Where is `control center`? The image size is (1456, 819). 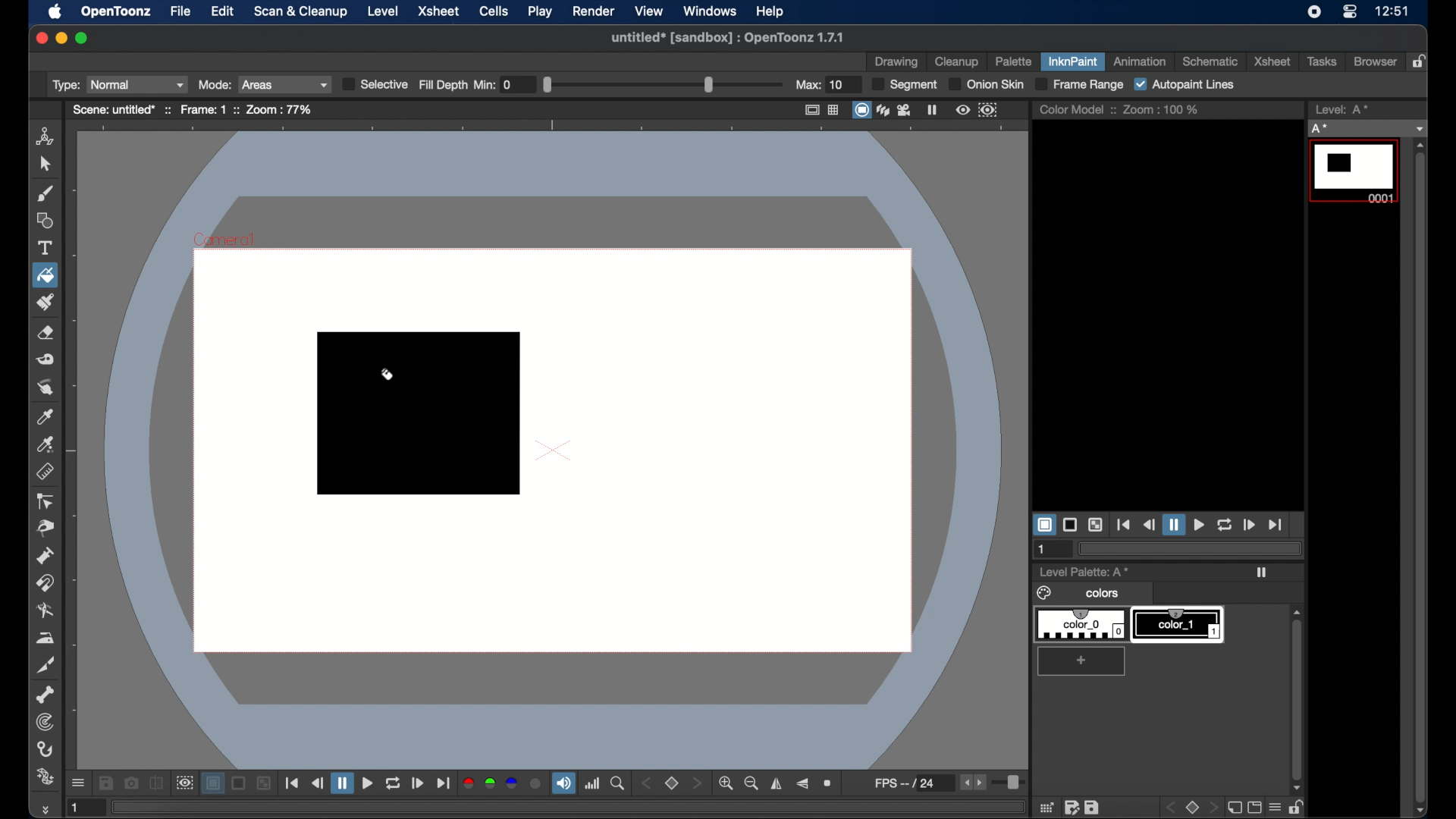
control center is located at coordinates (1350, 12).